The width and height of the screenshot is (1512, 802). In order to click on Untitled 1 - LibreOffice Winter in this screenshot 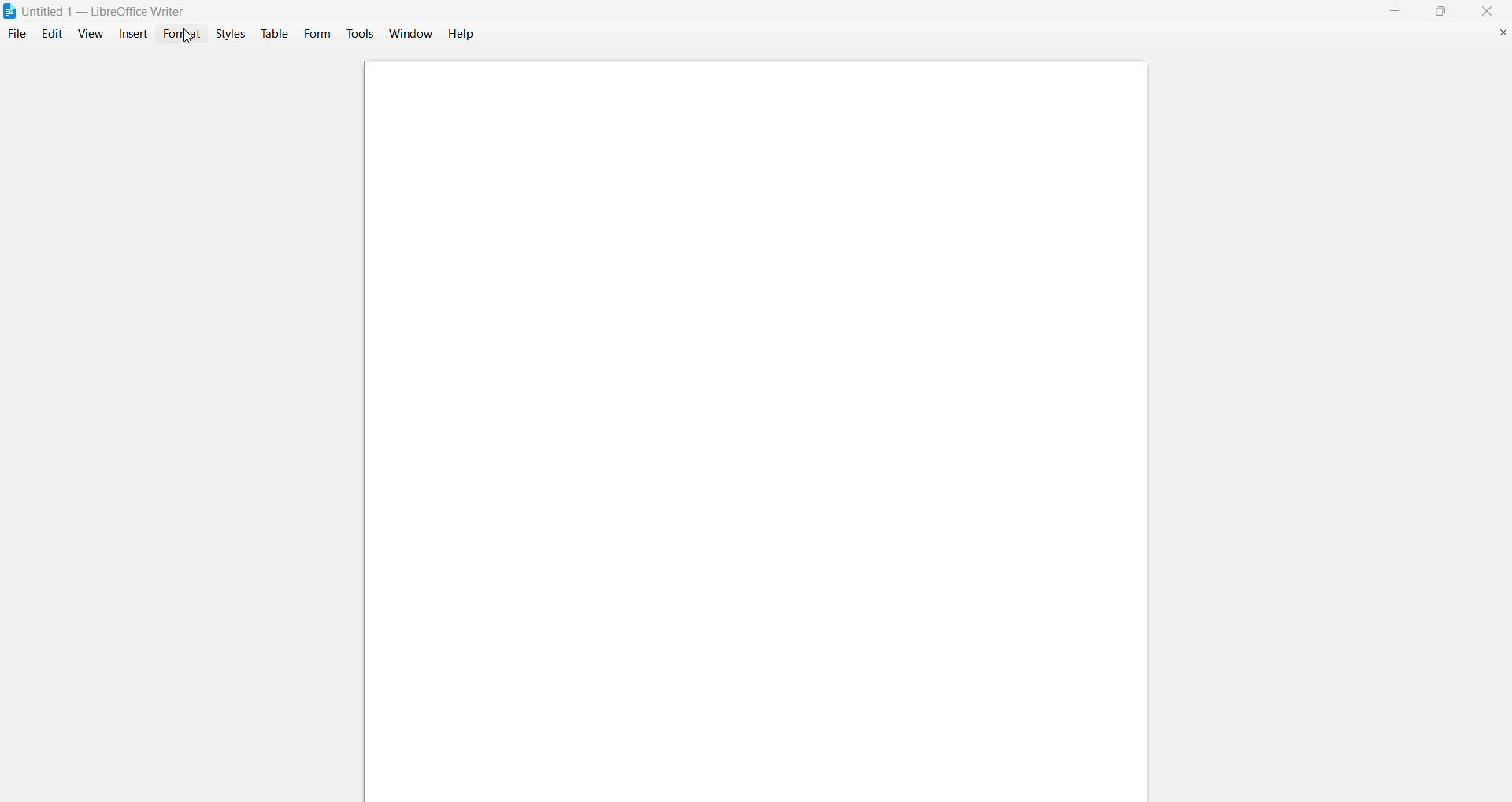, I will do `click(108, 10)`.